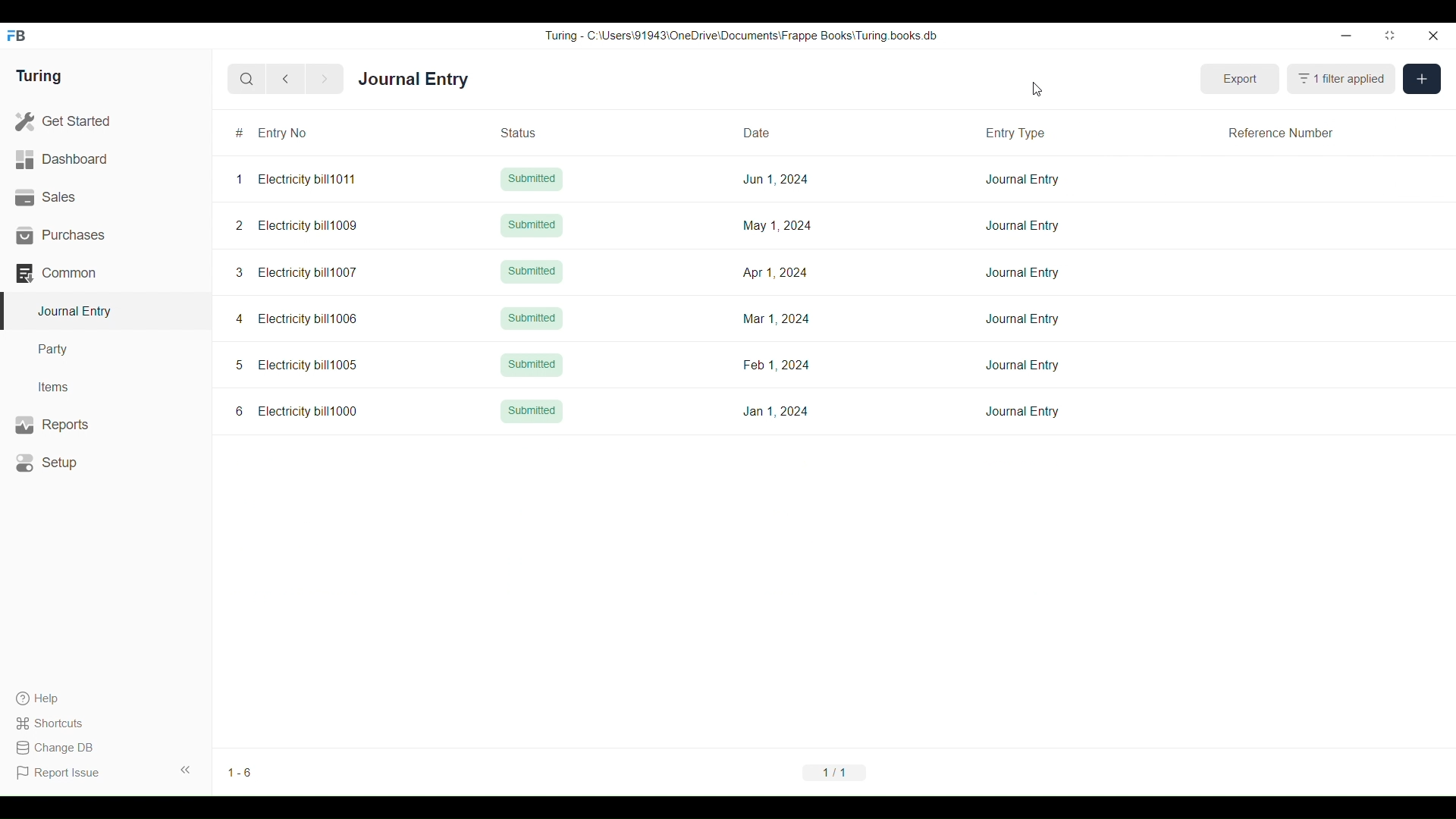  Describe the element at coordinates (1347, 36) in the screenshot. I see `Minimize` at that location.